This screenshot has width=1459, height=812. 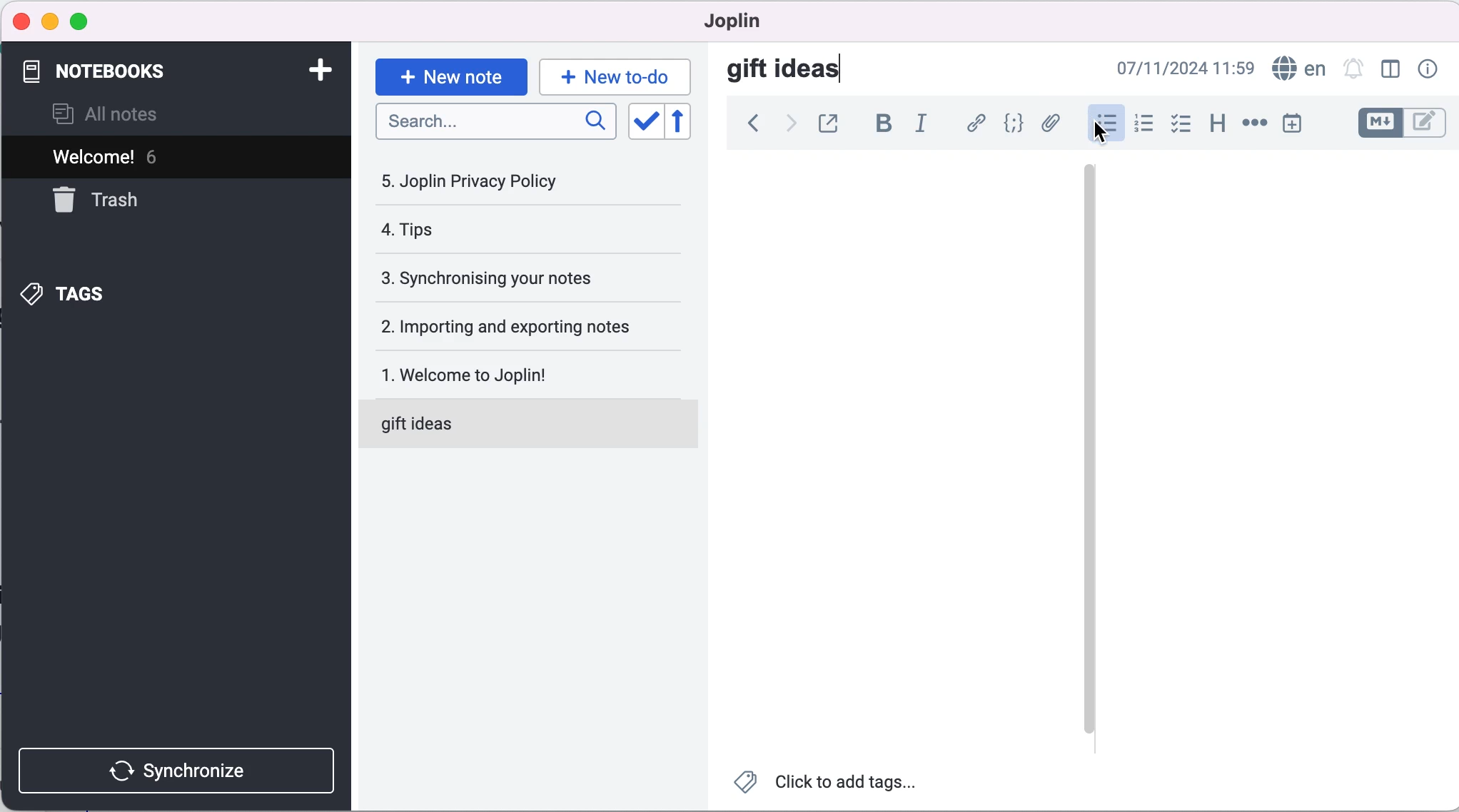 What do you see at coordinates (618, 73) in the screenshot?
I see `new to-do` at bounding box center [618, 73].